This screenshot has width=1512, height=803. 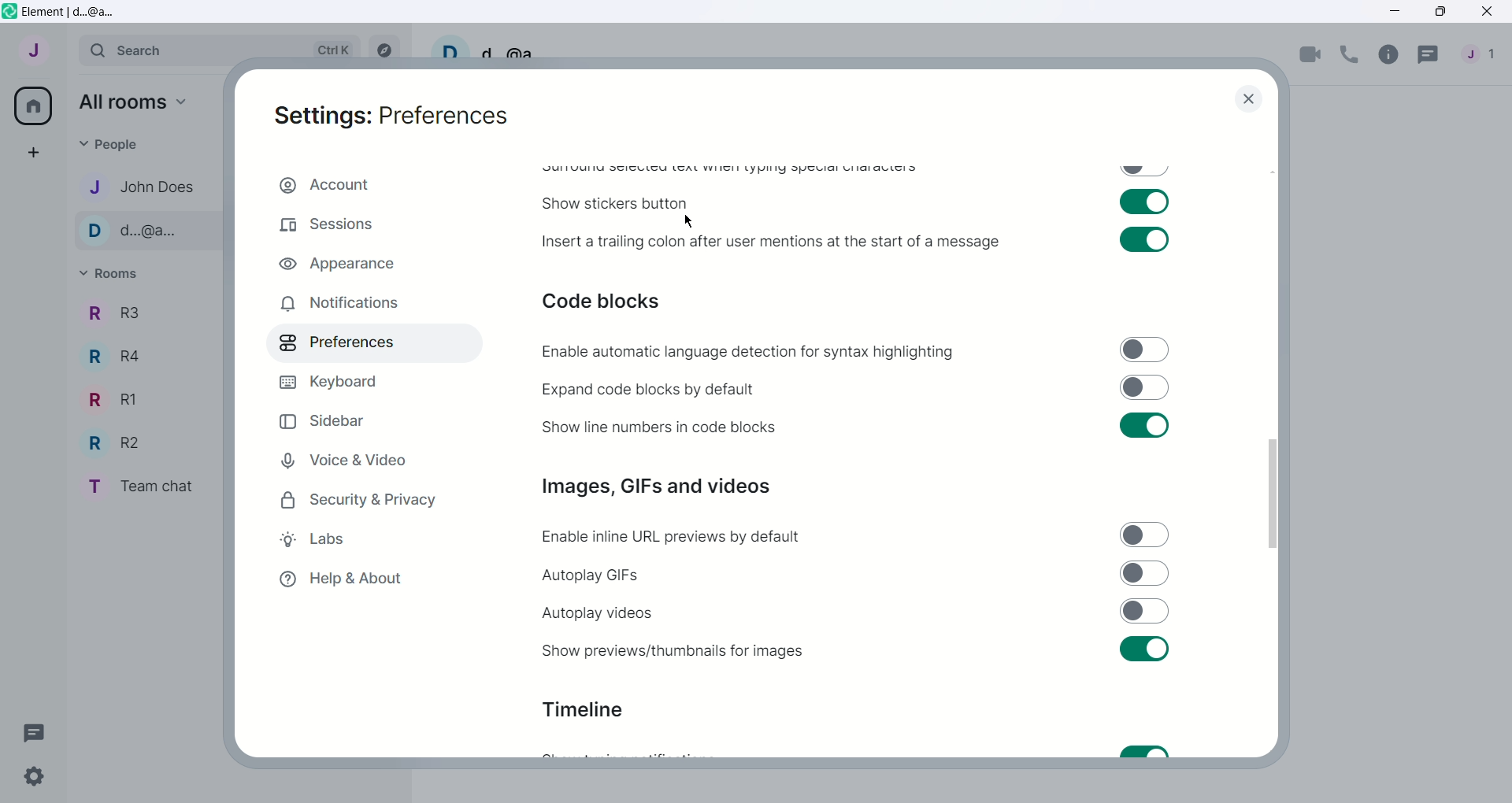 I want to click on Help and About, so click(x=347, y=578).